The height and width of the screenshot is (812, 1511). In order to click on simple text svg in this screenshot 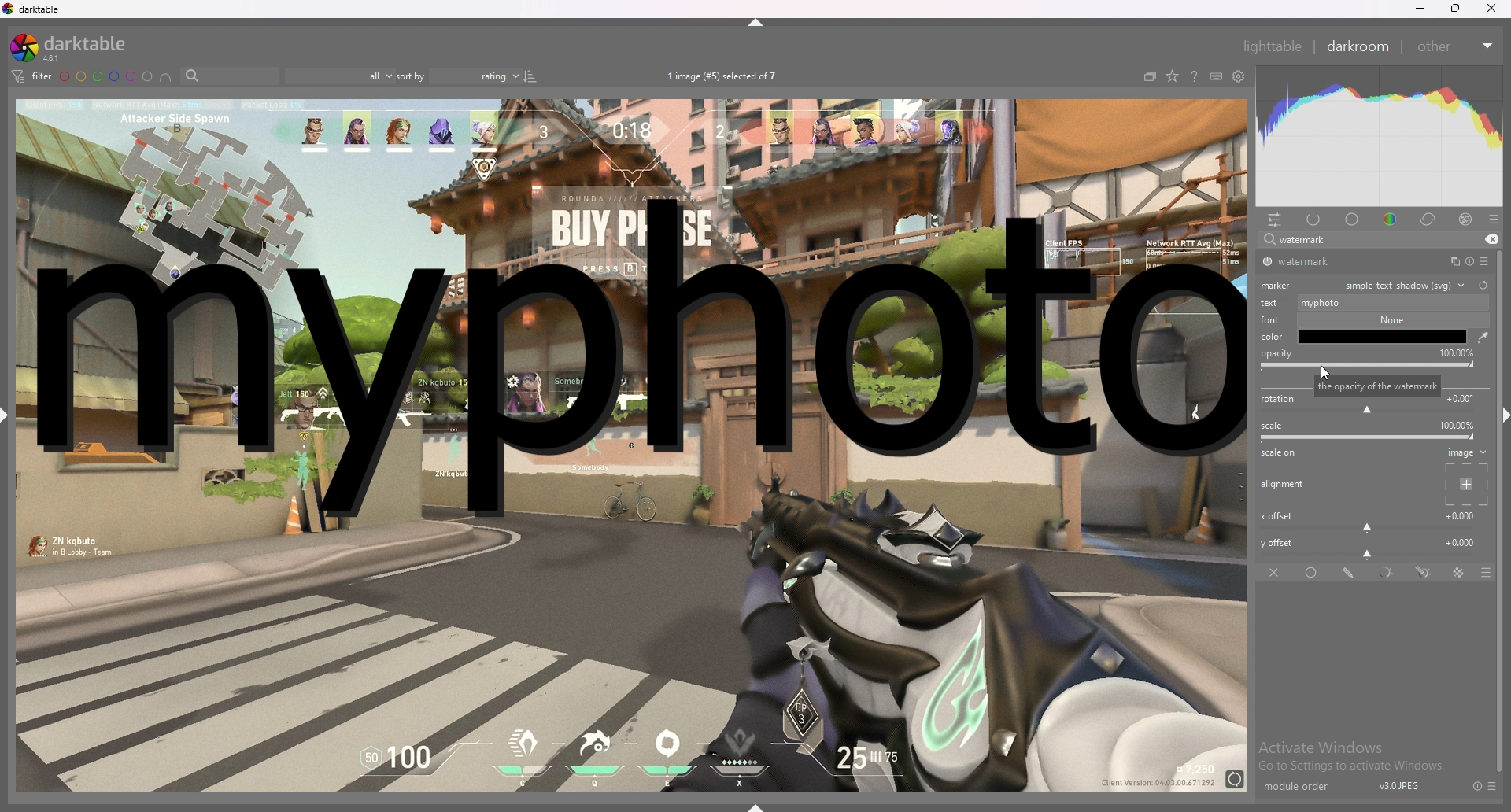, I will do `click(1387, 366)`.